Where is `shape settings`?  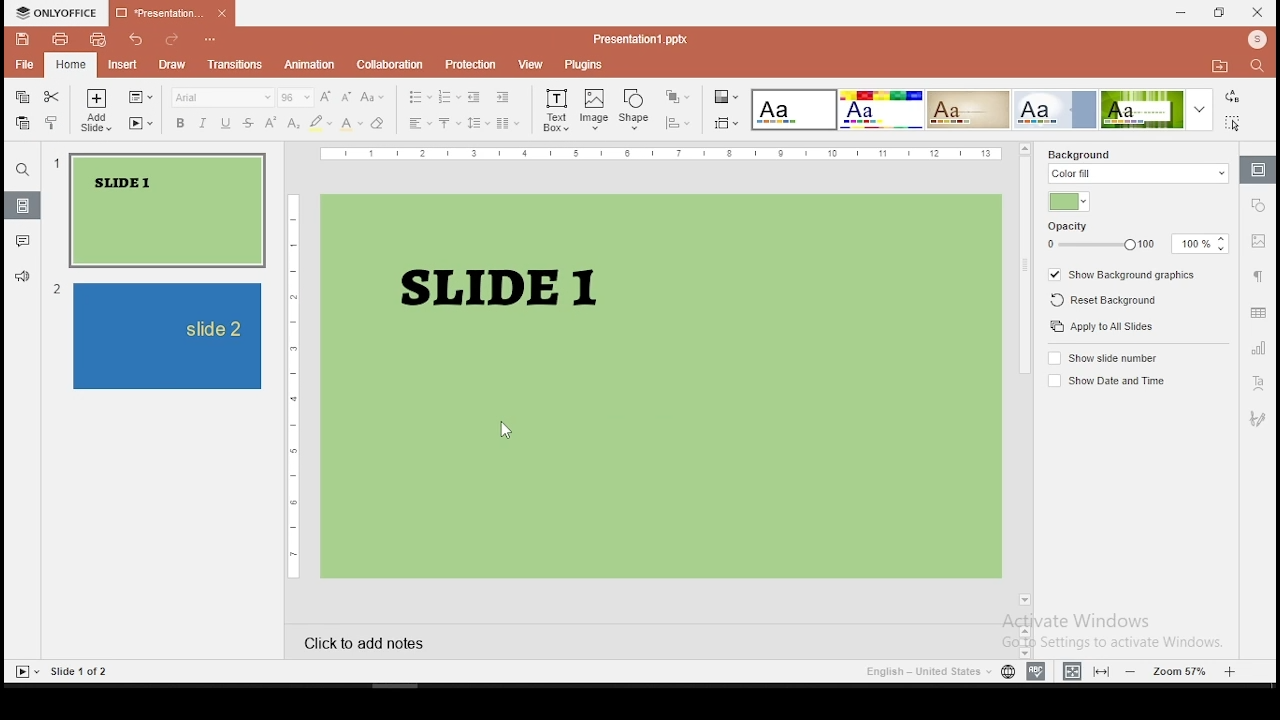 shape settings is located at coordinates (1260, 204).